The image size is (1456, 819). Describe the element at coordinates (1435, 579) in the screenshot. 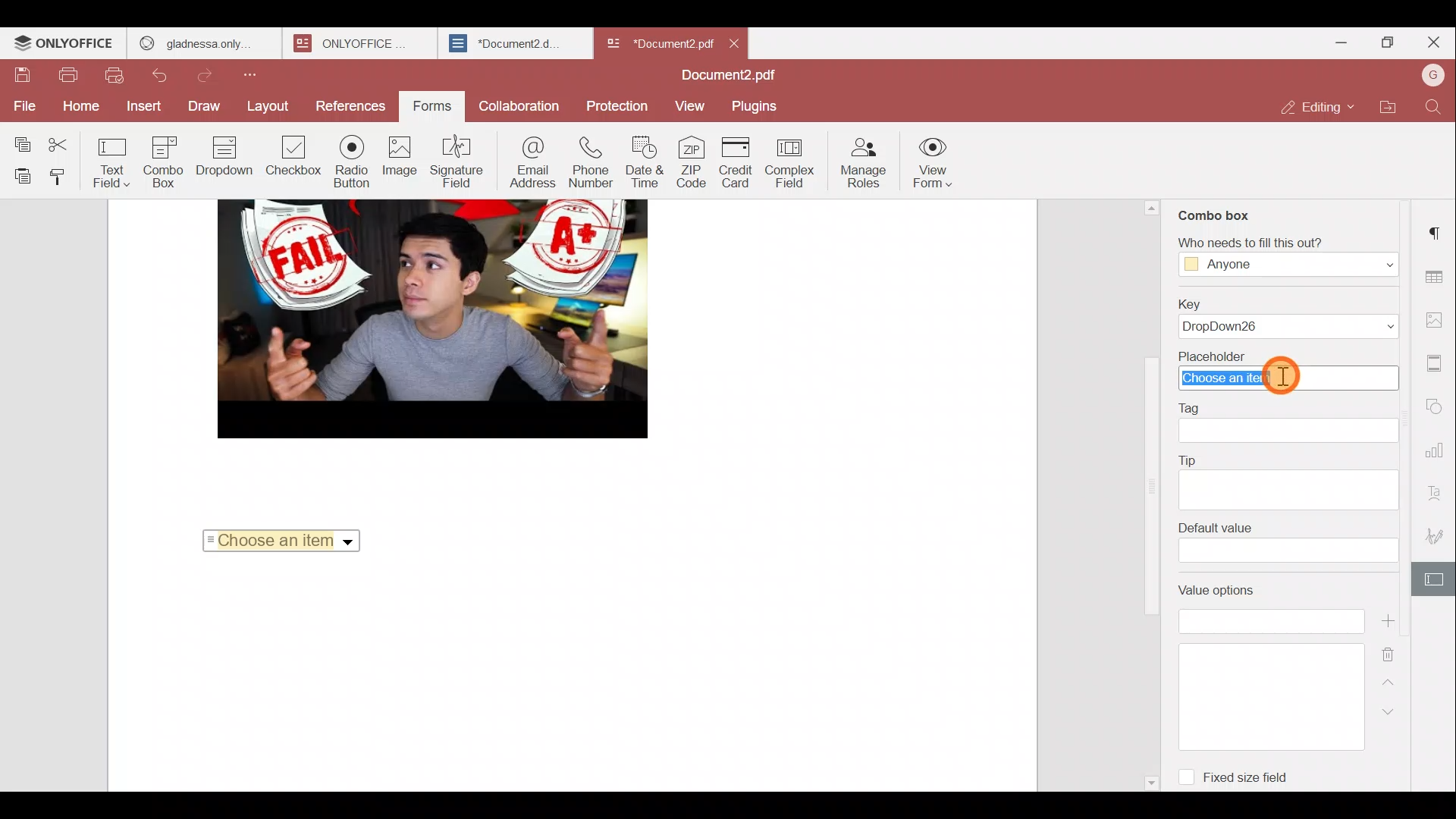

I see `Form settings` at that location.